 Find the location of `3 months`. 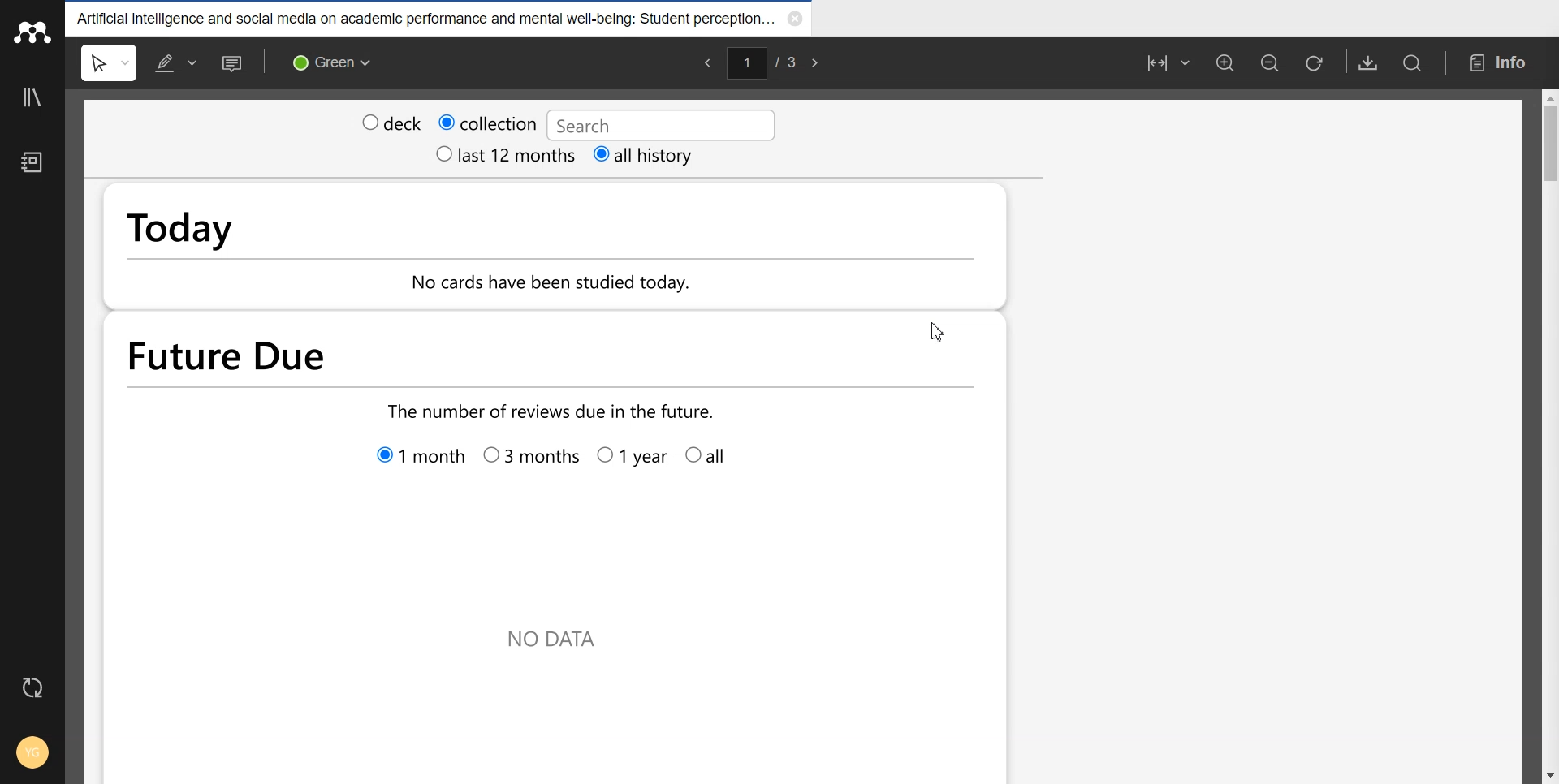

3 months is located at coordinates (529, 459).